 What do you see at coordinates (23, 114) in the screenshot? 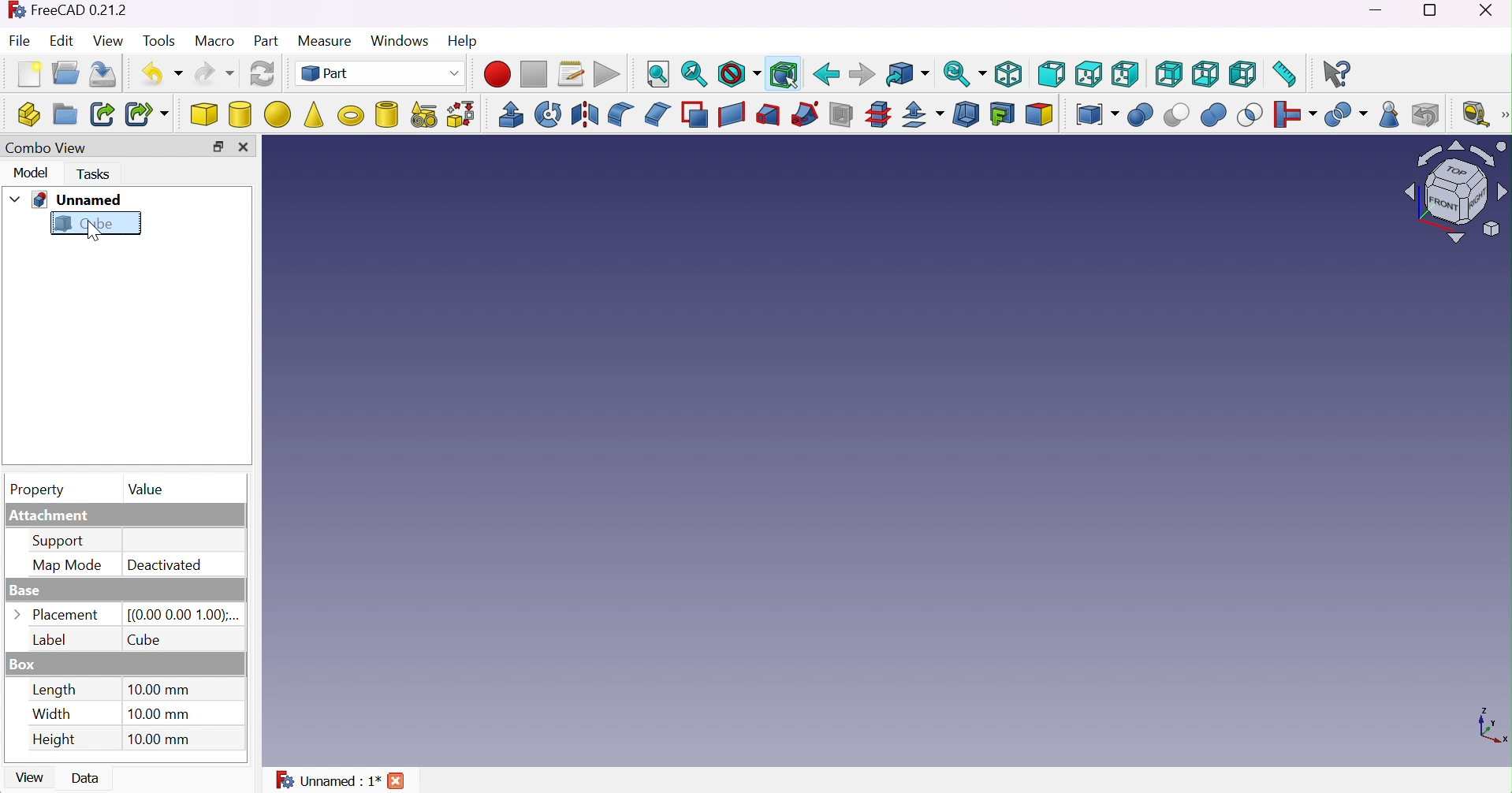
I see `Create part` at bounding box center [23, 114].